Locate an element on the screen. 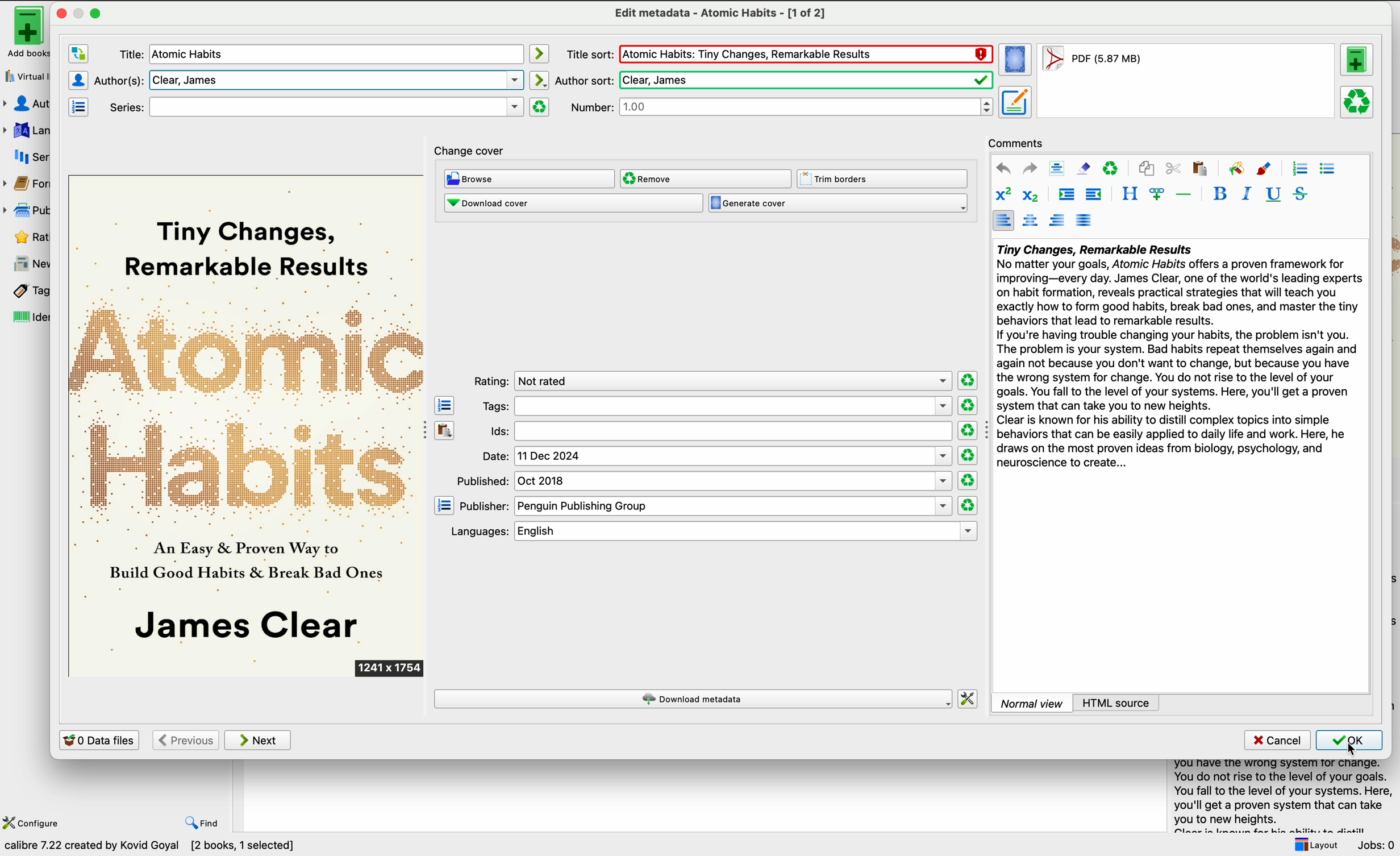 This screenshot has width=1400, height=856. underline is located at coordinates (1274, 195).